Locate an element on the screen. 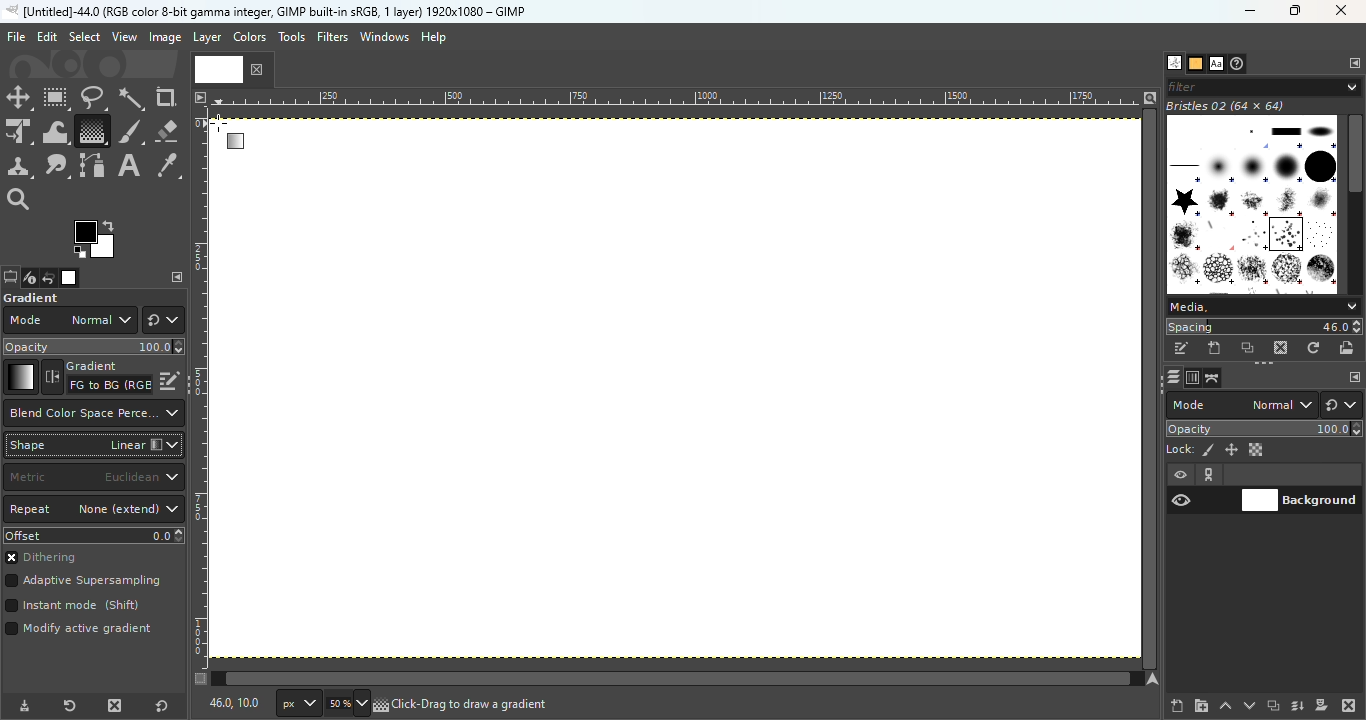 This screenshot has width=1366, height=720. Open the document history dialog is located at coordinates (1239, 64).